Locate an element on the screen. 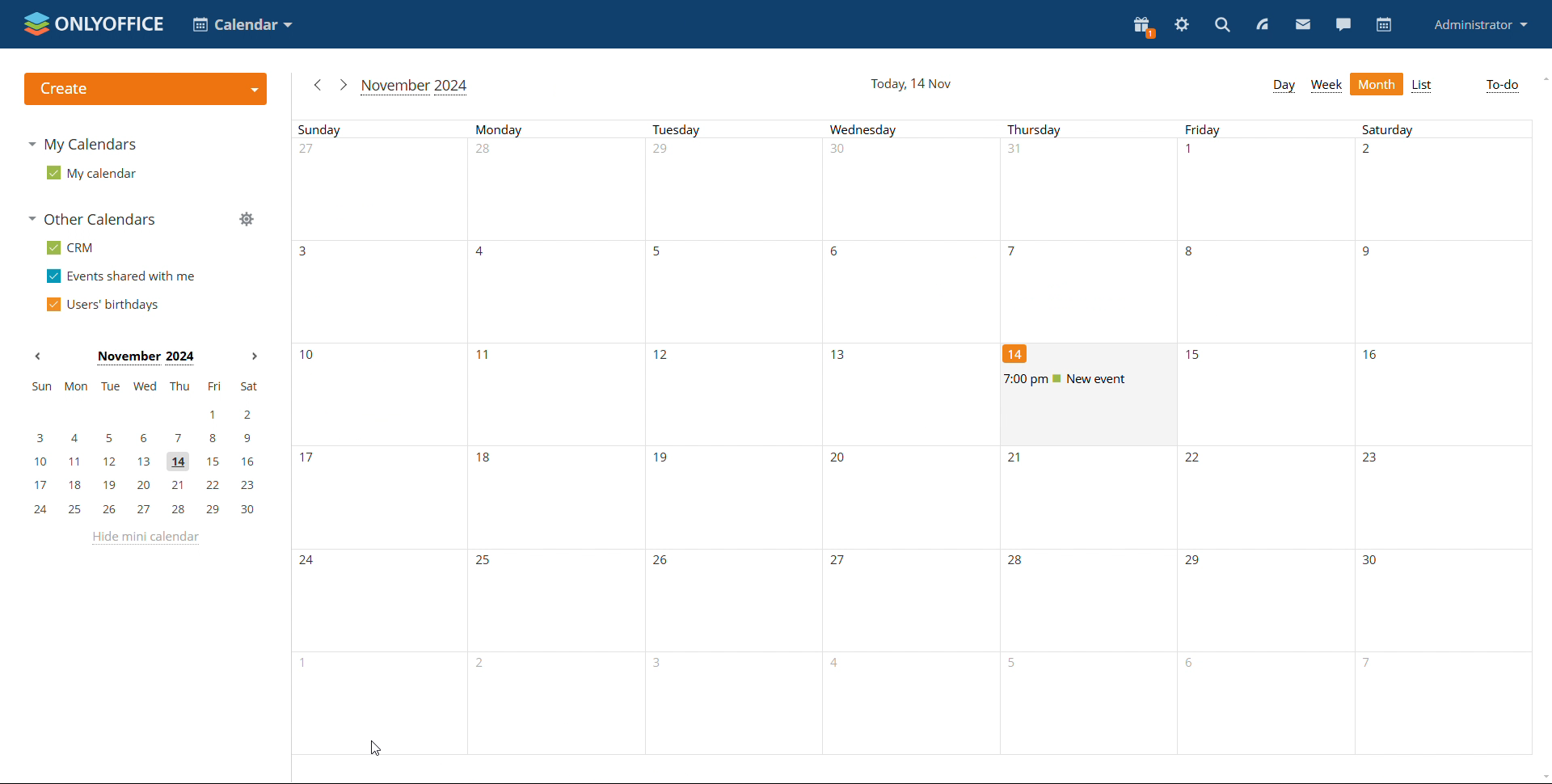 The image size is (1552, 784). number is located at coordinates (838, 251).